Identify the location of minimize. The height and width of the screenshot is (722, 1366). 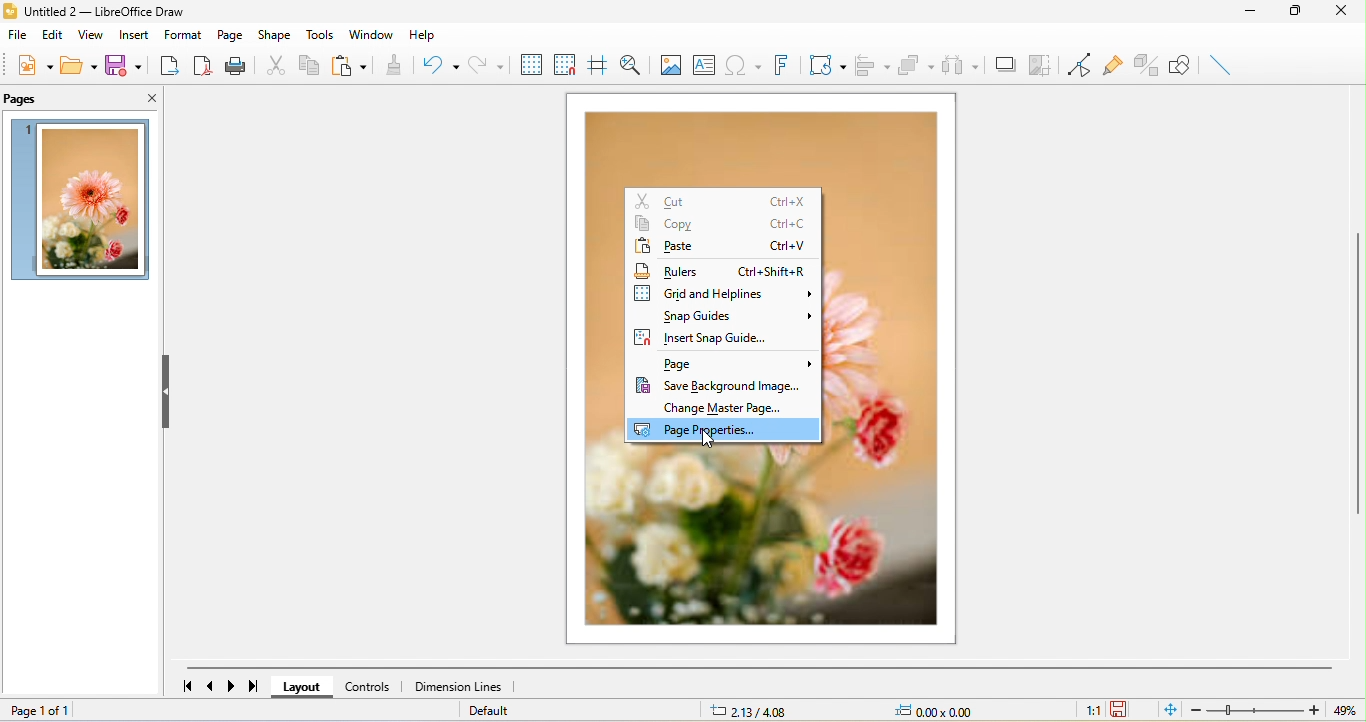
(1258, 13).